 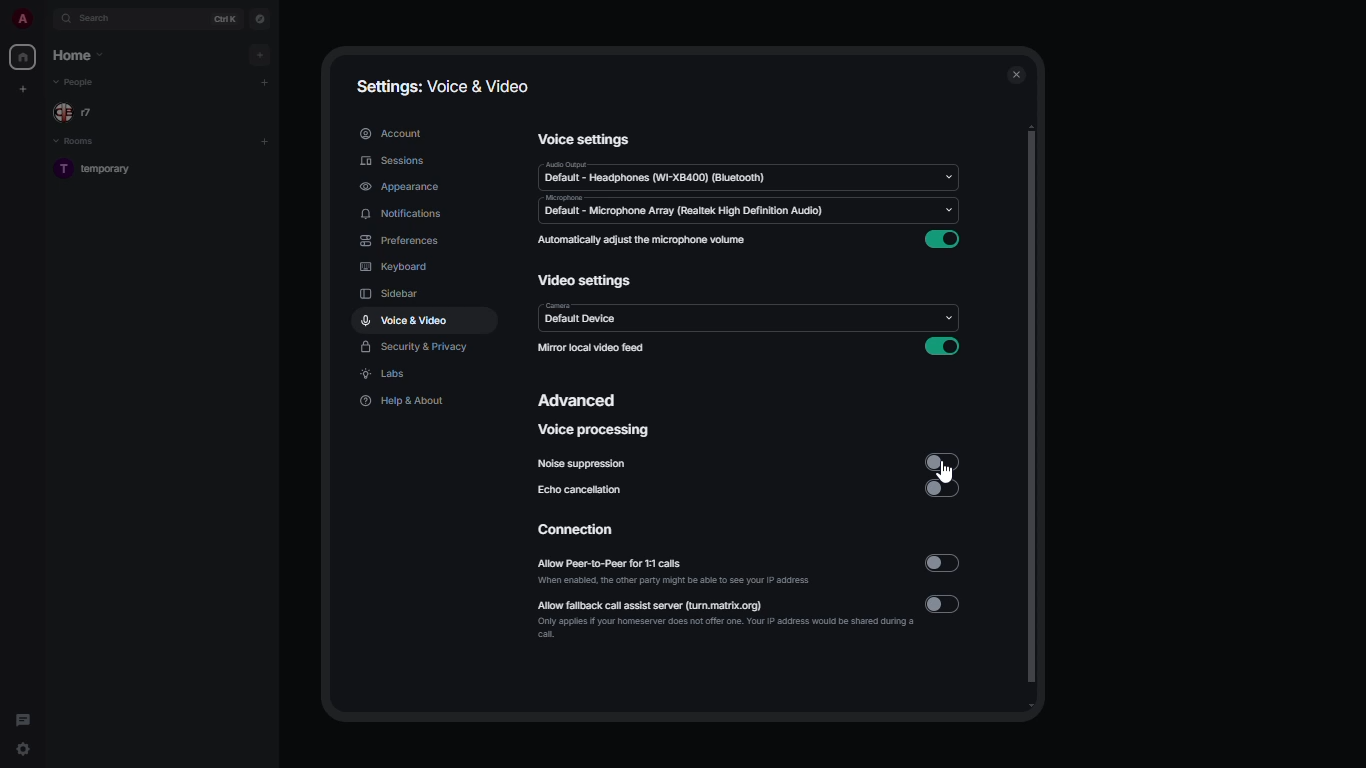 I want to click on noise suppression, so click(x=581, y=464).